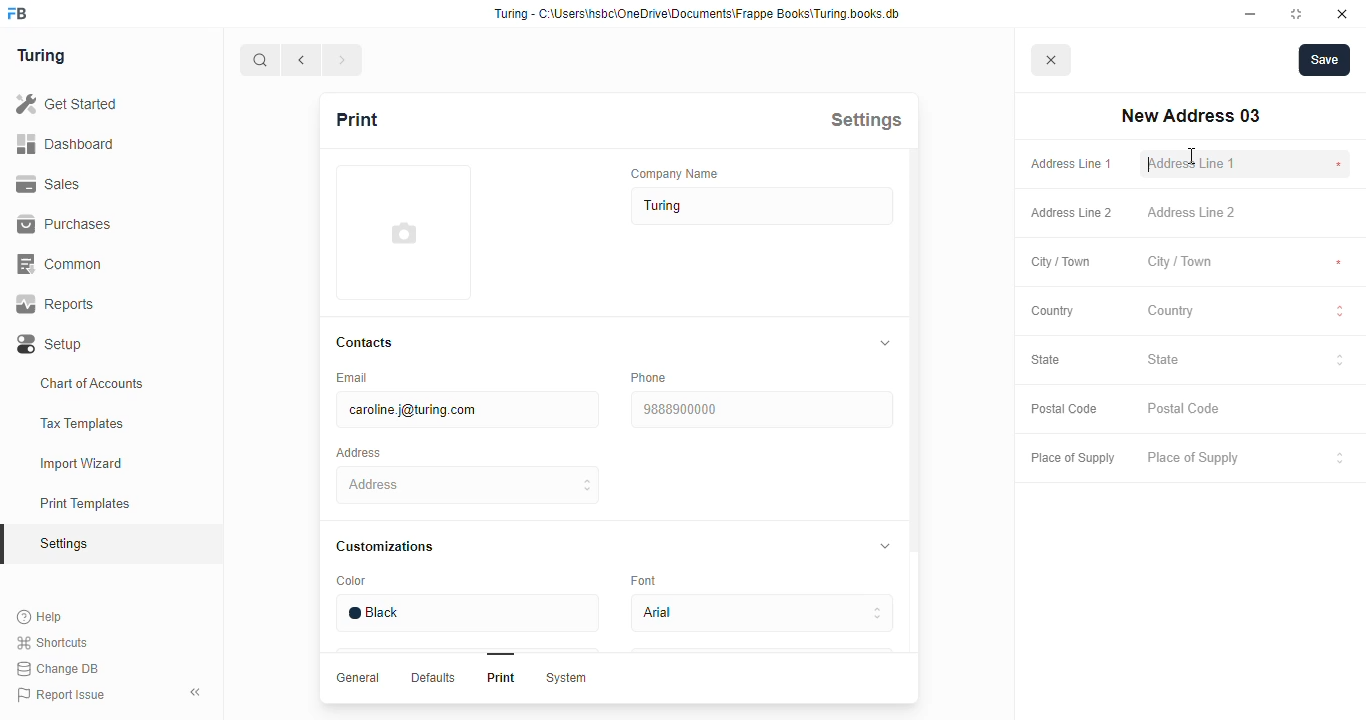  What do you see at coordinates (565, 678) in the screenshot?
I see `System` at bounding box center [565, 678].